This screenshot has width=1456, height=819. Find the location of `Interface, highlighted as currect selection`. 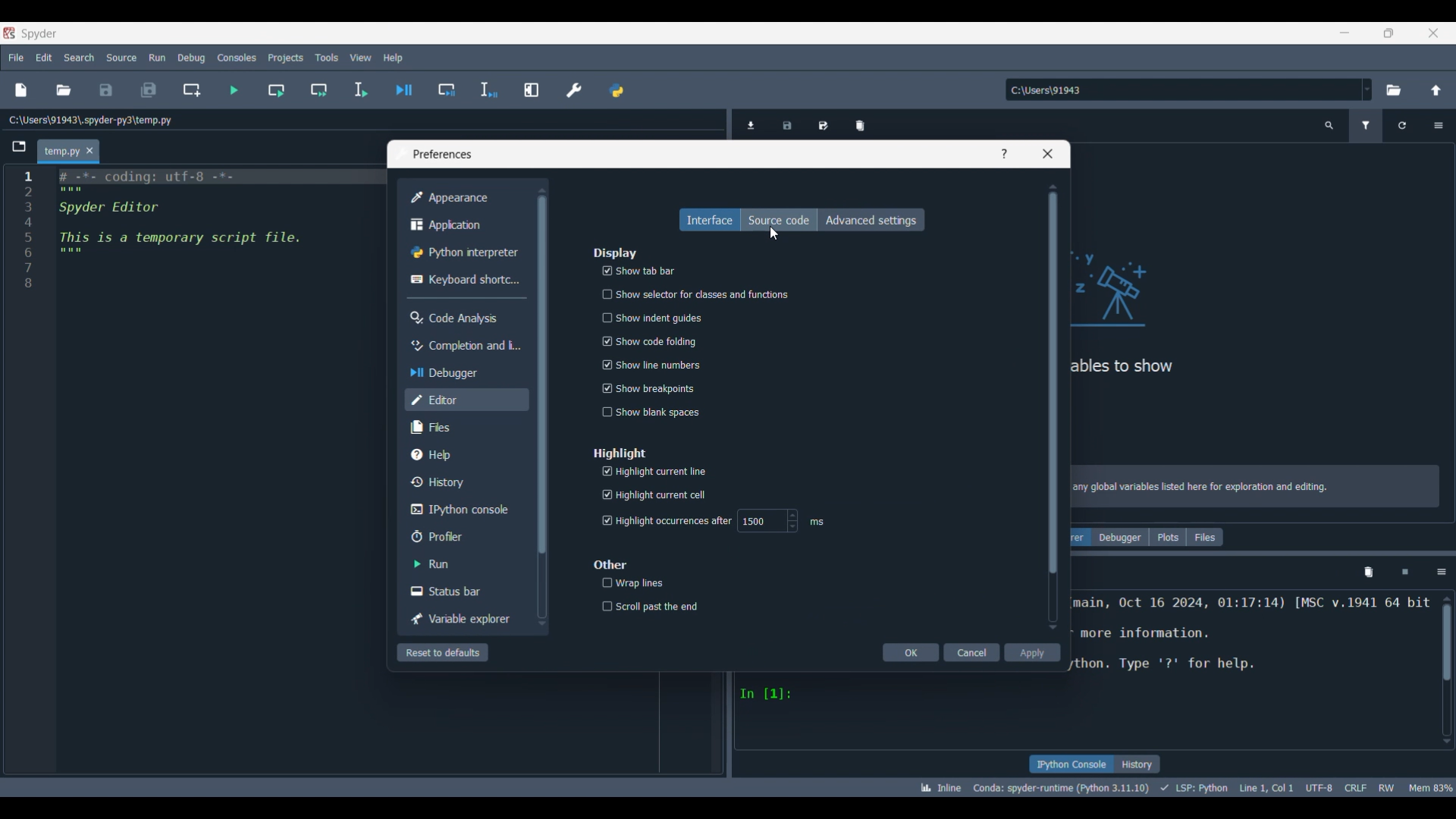

Interface, highlighted as currect selection is located at coordinates (709, 219).